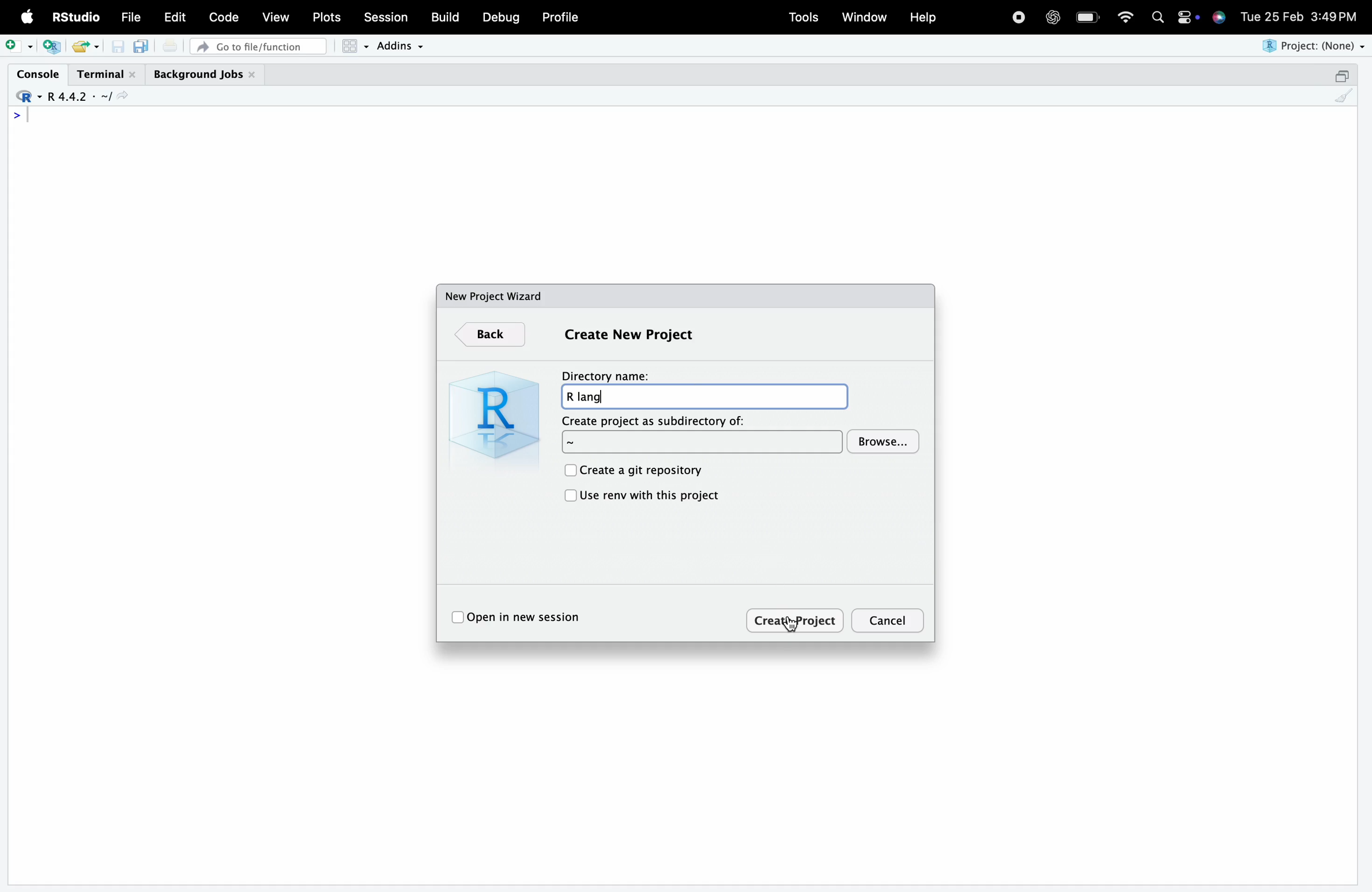  I want to click on Window, so click(864, 16).